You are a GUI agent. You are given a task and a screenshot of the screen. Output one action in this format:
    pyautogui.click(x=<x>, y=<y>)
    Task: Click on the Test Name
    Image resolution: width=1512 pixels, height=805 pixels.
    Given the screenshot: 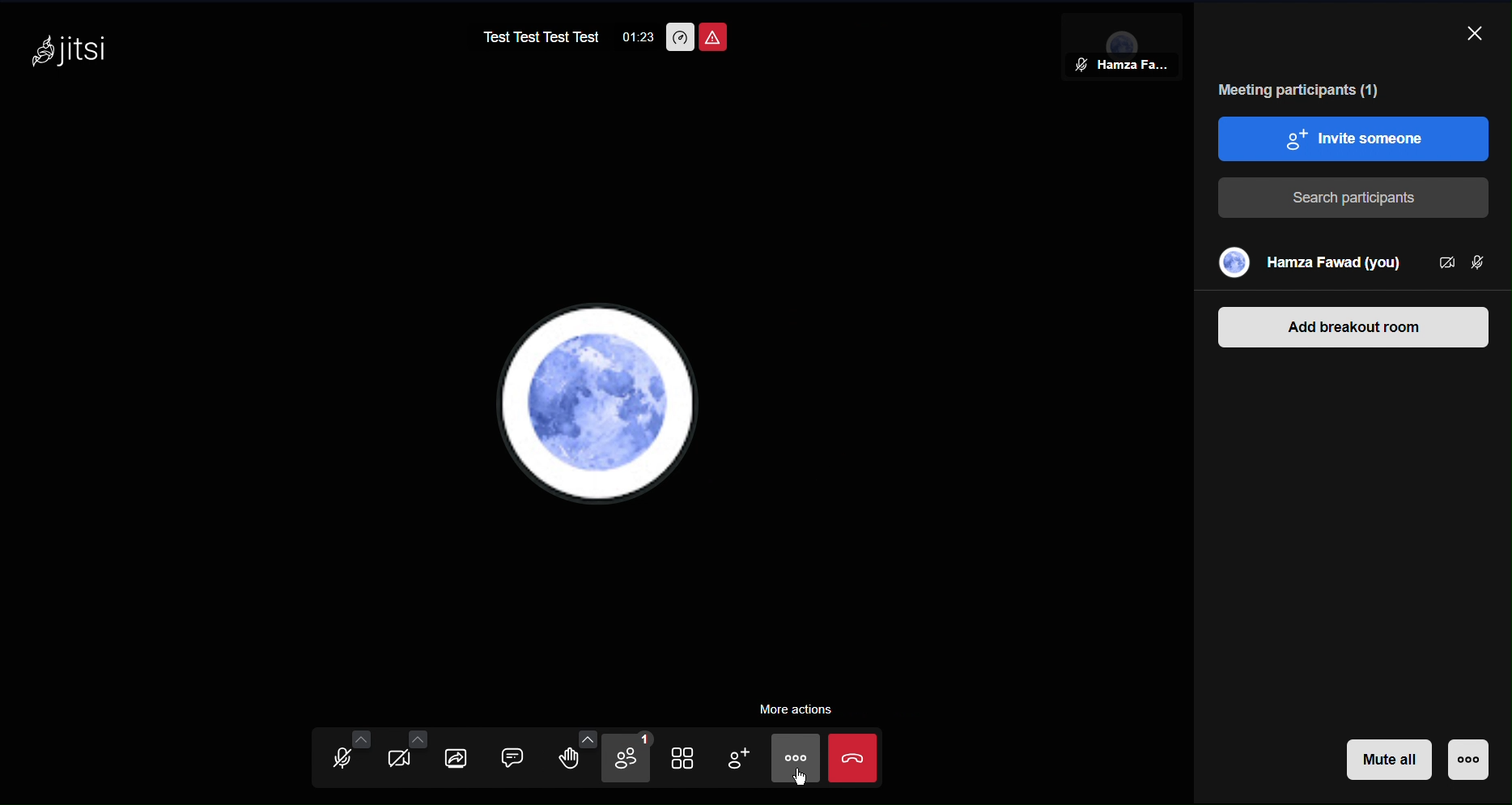 What is the action you would take?
    pyautogui.click(x=535, y=34)
    